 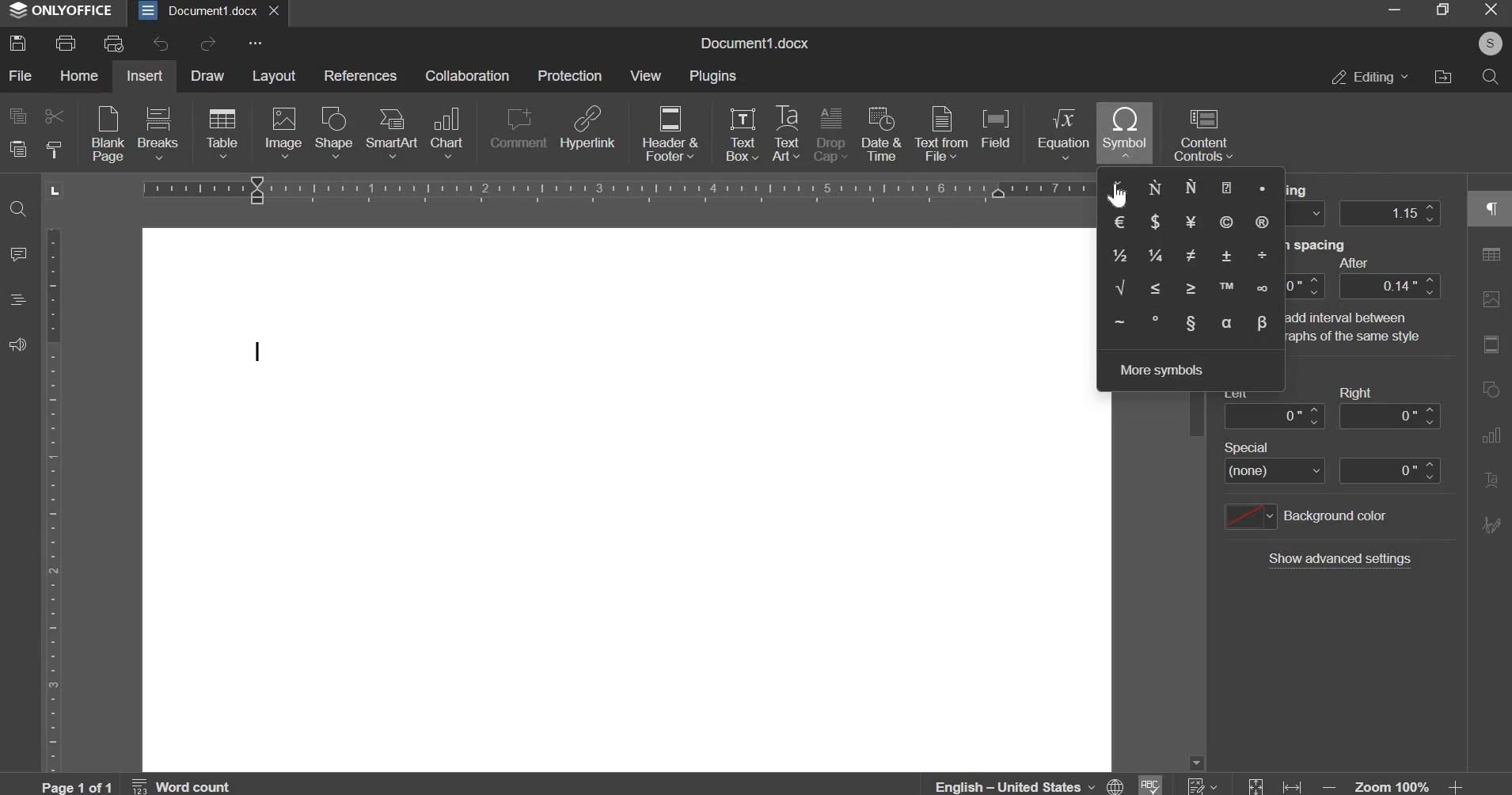 What do you see at coordinates (519, 130) in the screenshot?
I see `comment` at bounding box center [519, 130].